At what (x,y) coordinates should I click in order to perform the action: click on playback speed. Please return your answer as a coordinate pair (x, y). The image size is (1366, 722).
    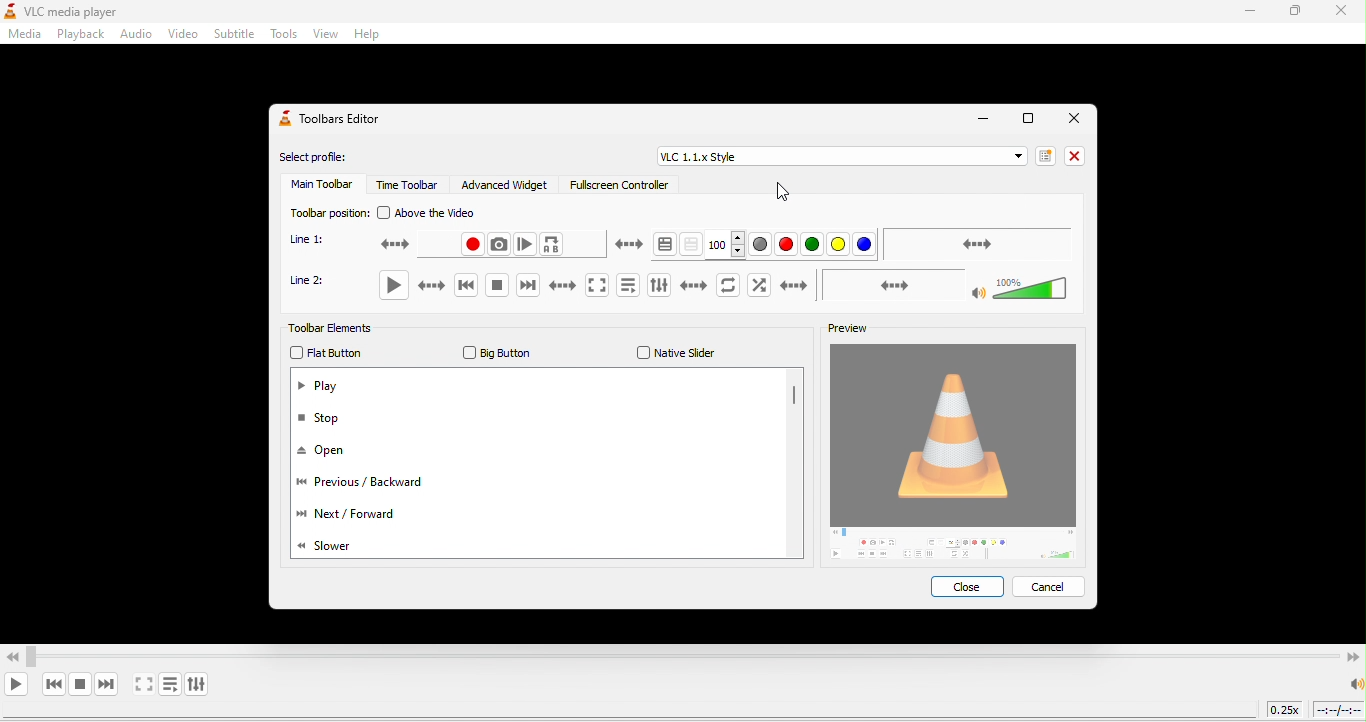
    Looking at the image, I should click on (1285, 712).